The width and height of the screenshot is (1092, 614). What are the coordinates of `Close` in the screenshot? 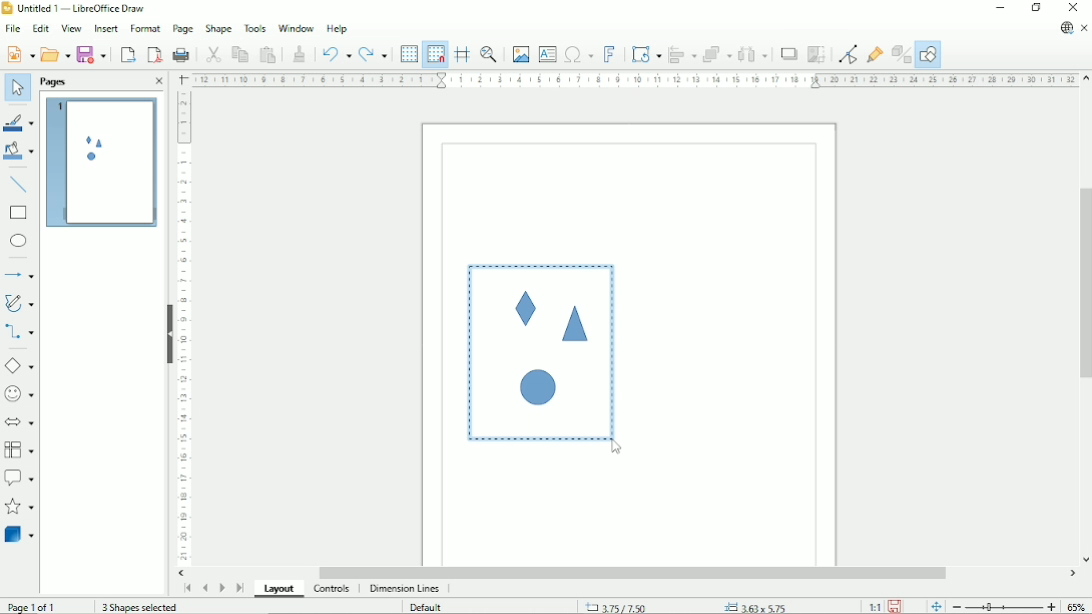 It's located at (158, 82).